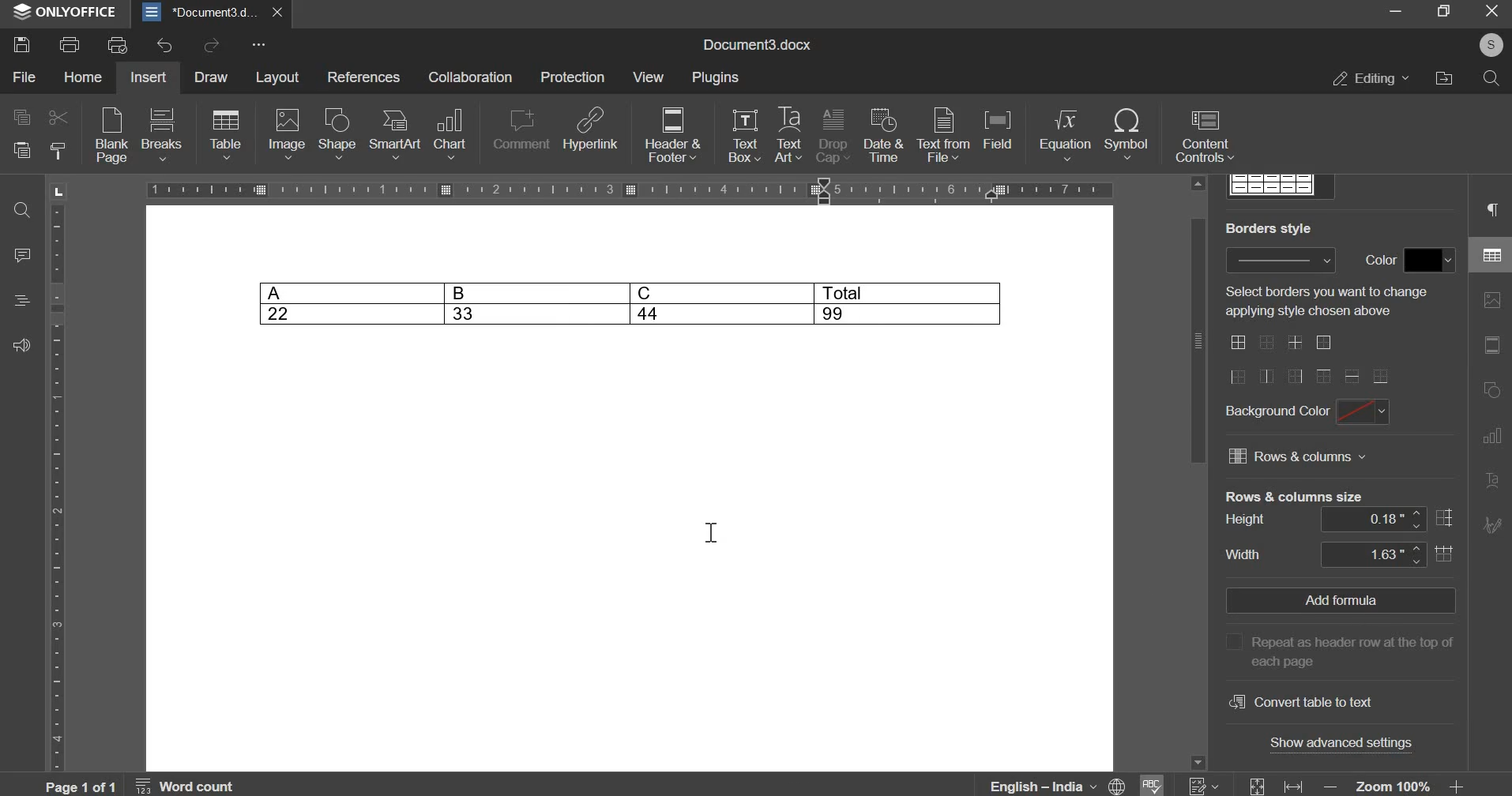 Image resolution: width=1512 pixels, height=796 pixels. I want to click on image, so click(287, 134).